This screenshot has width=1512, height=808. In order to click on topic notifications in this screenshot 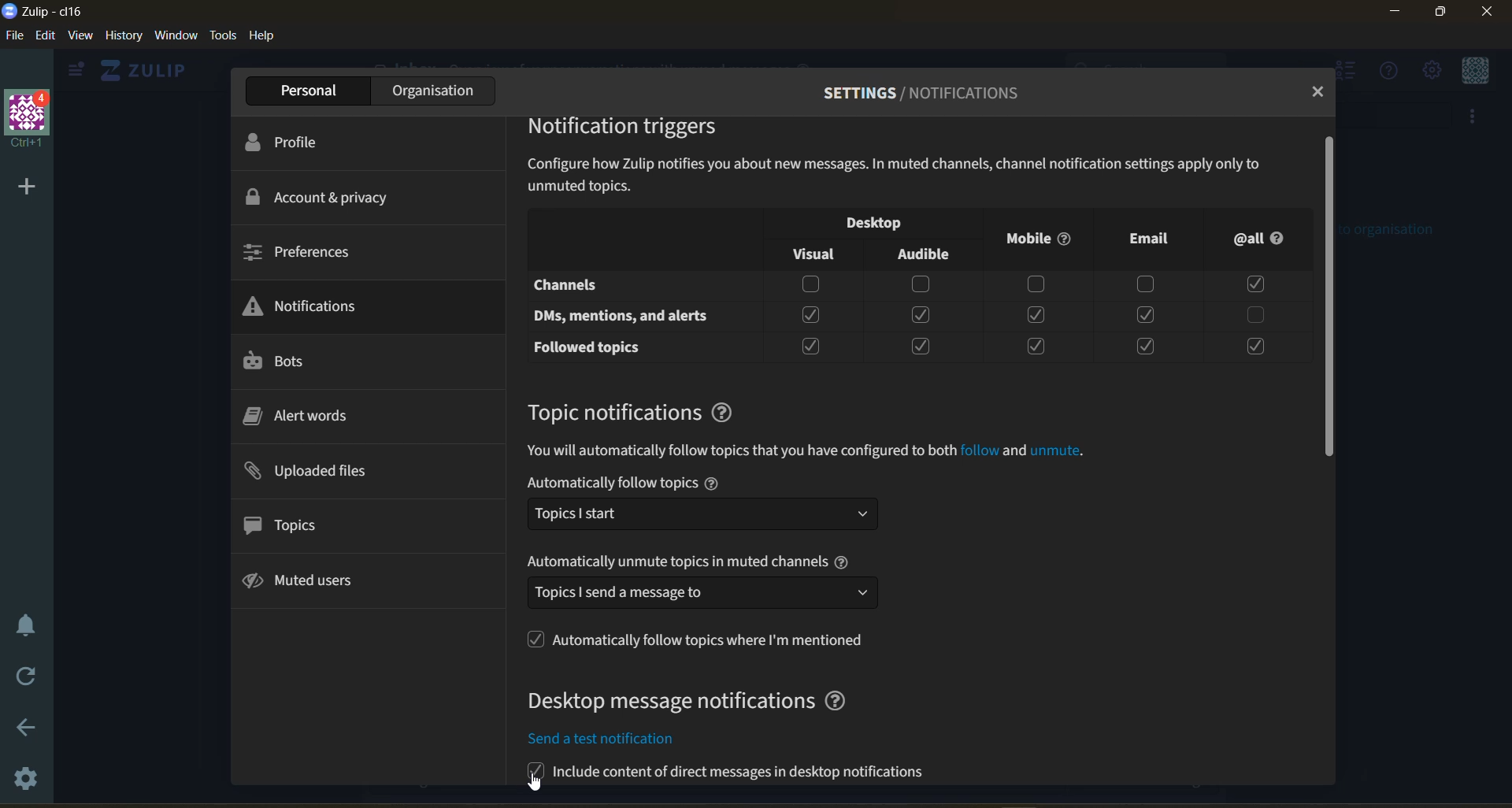, I will do `click(617, 416)`.